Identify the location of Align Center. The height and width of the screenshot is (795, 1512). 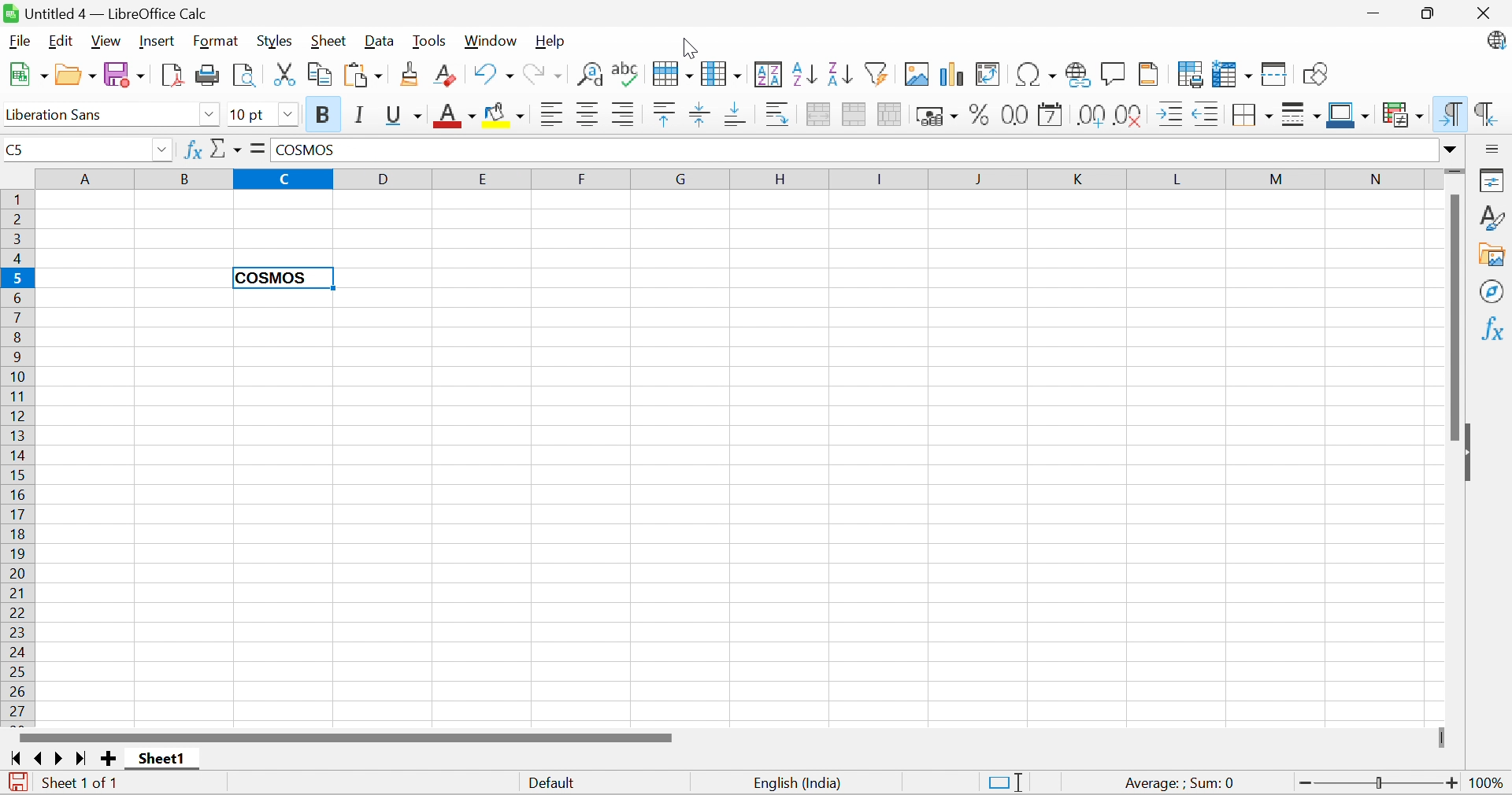
(589, 116).